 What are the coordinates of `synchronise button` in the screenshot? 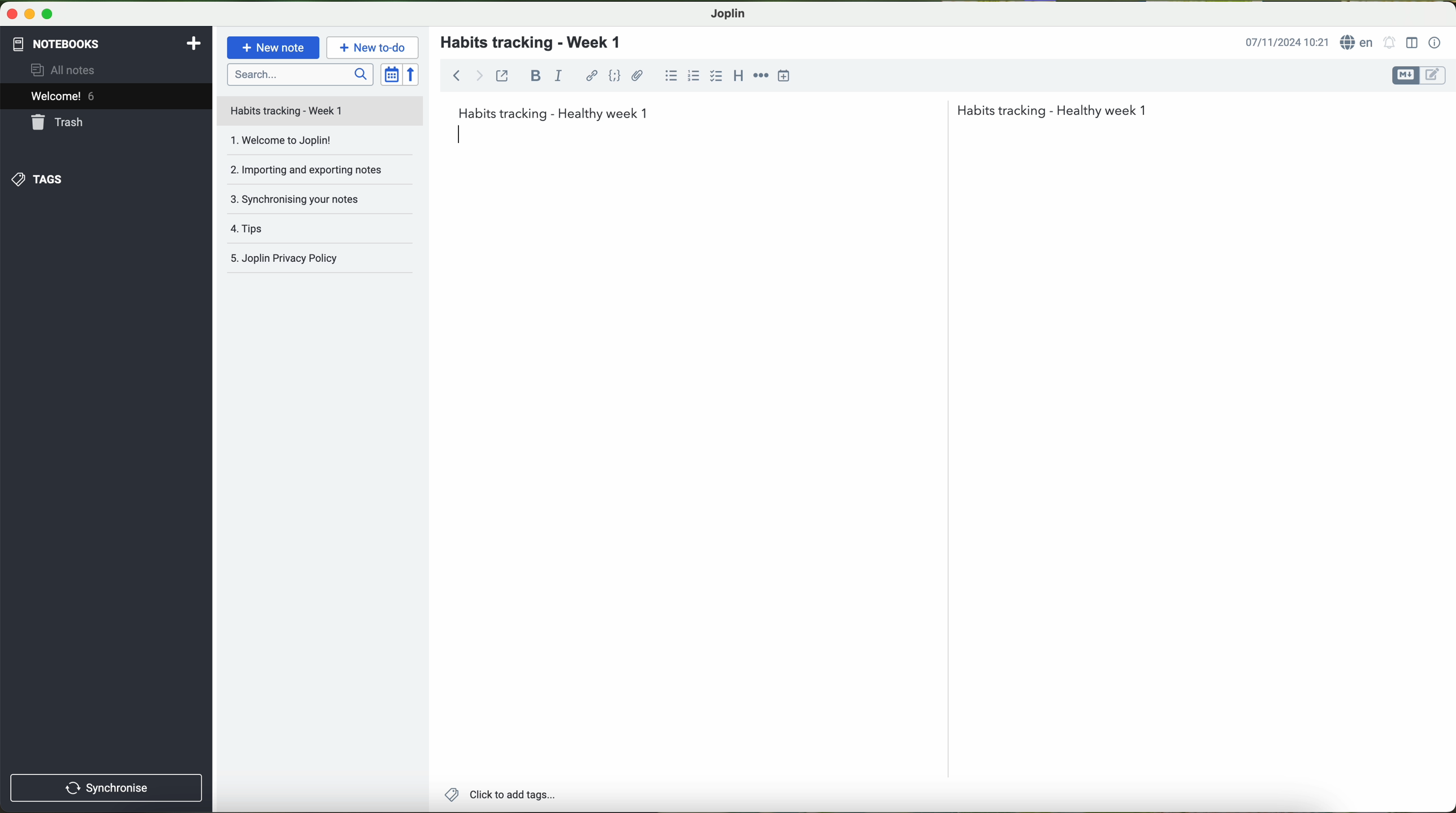 It's located at (107, 788).